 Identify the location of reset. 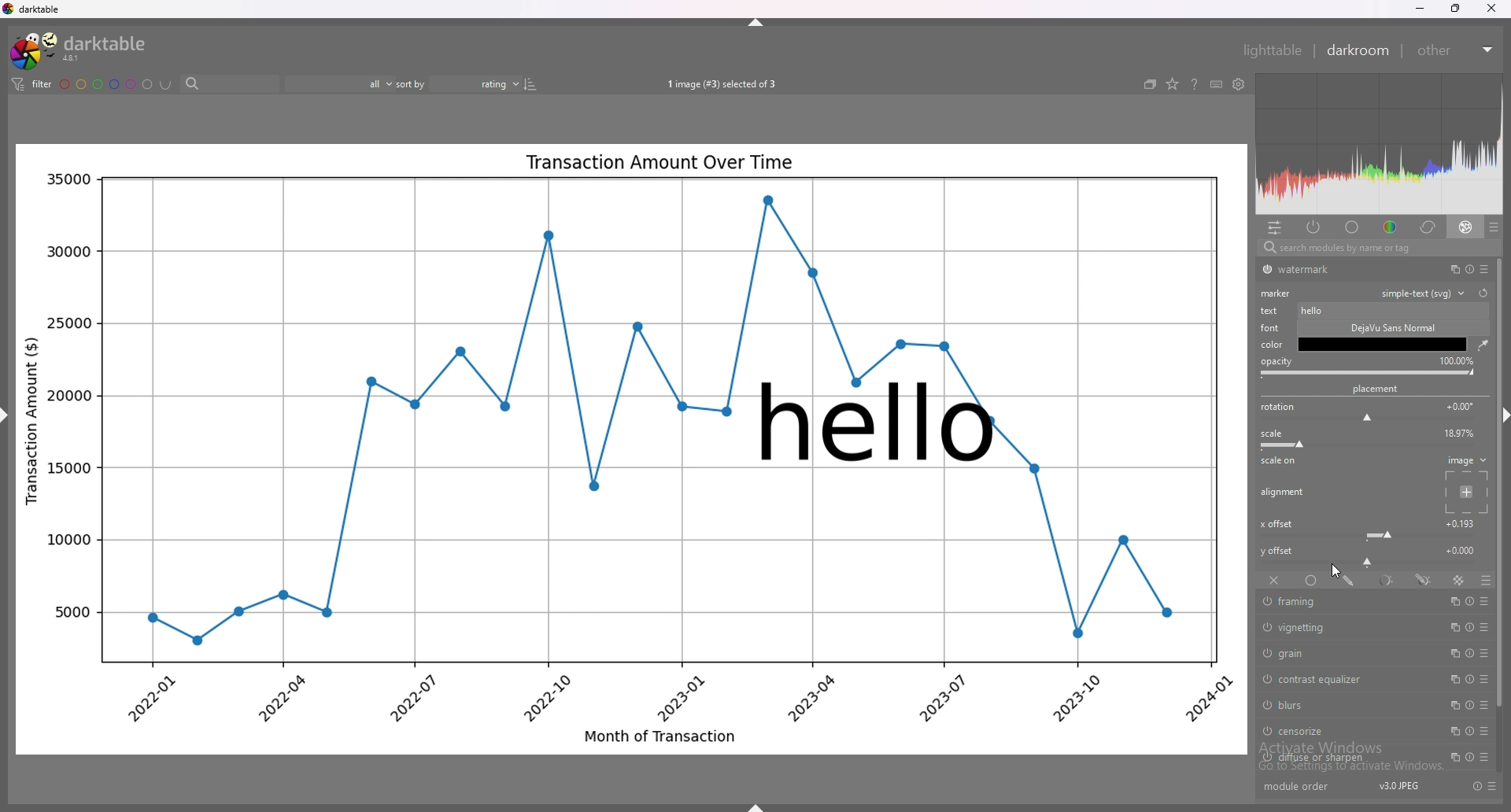
(1476, 786).